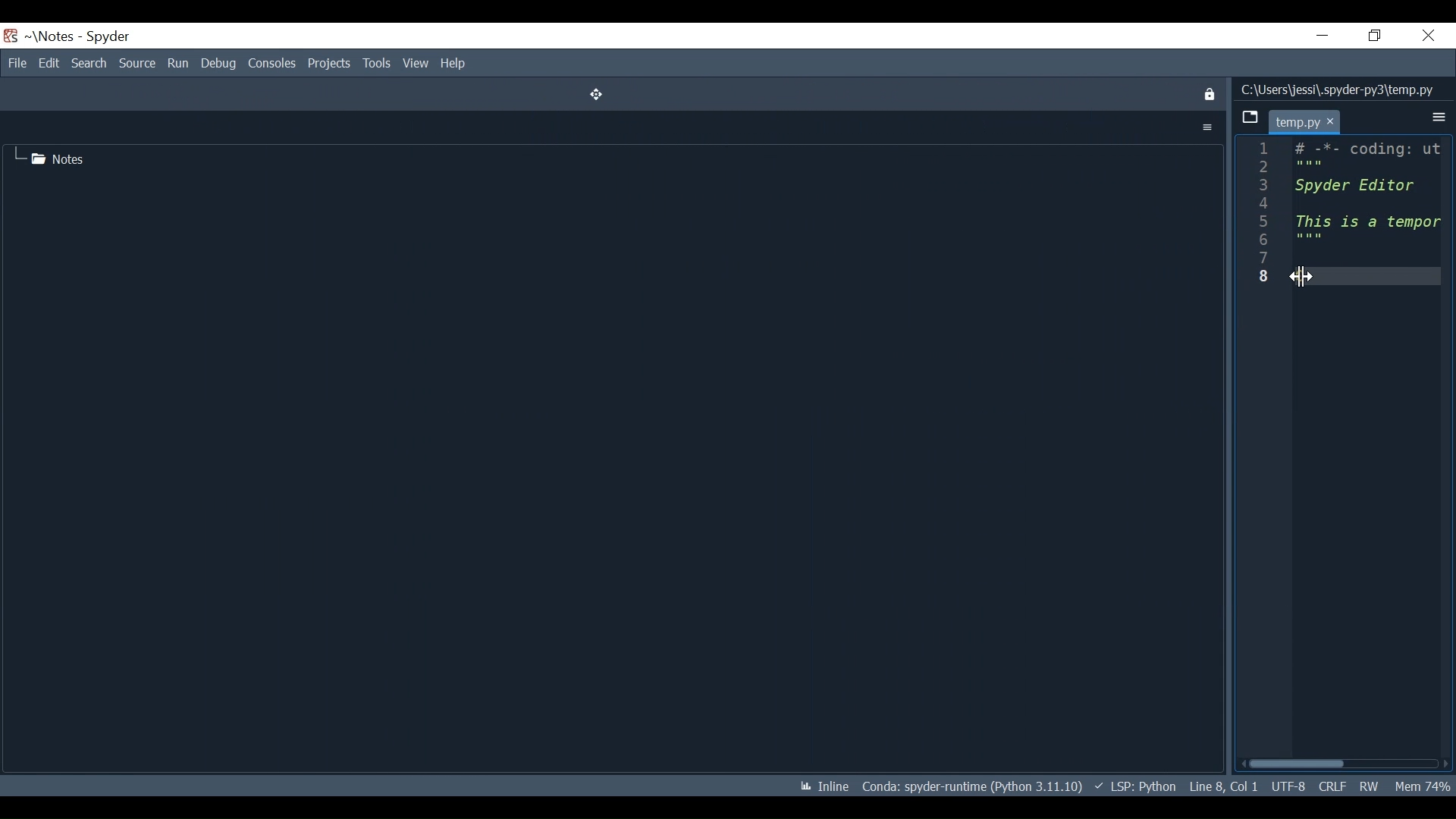  What do you see at coordinates (330, 64) in the screenshot?
I see `Projects` at bounding box center [330, 64].